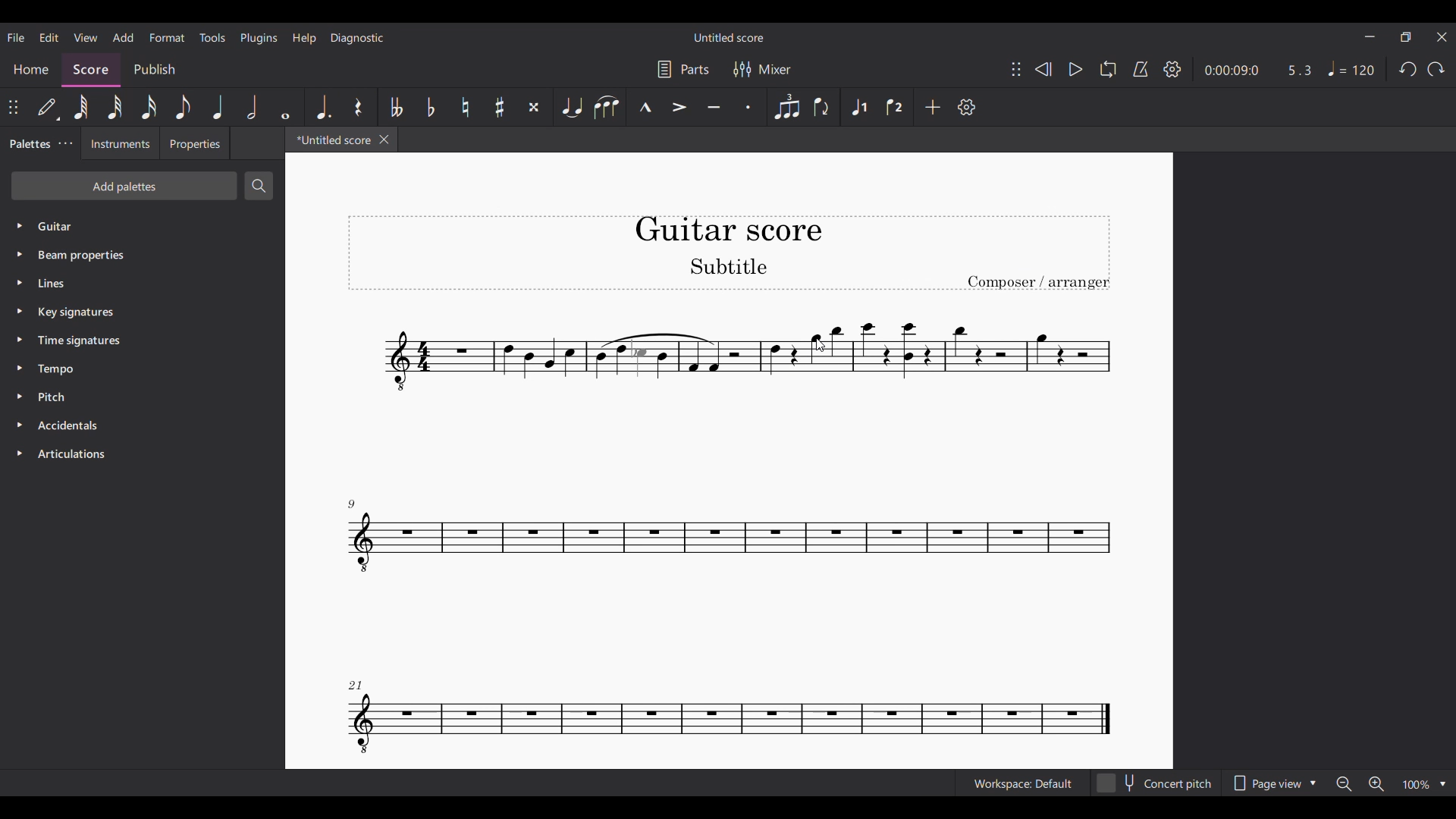  I want to click on Parts settings, so click(683, 69).